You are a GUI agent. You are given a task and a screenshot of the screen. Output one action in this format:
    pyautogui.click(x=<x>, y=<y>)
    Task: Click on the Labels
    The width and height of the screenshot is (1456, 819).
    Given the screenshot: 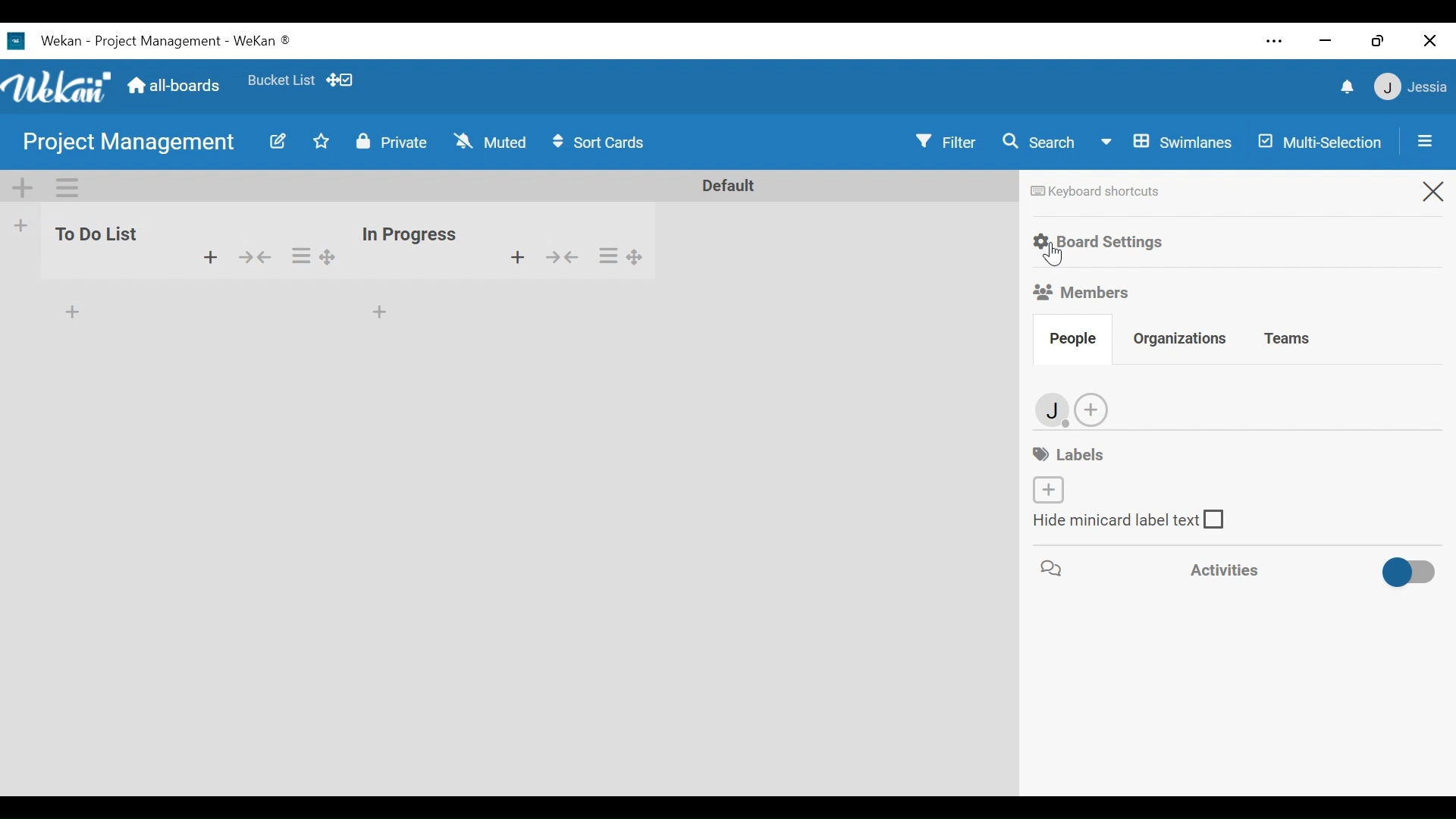 What is the action you would take?
    pyautogui.click(x=1072, y=454)
    